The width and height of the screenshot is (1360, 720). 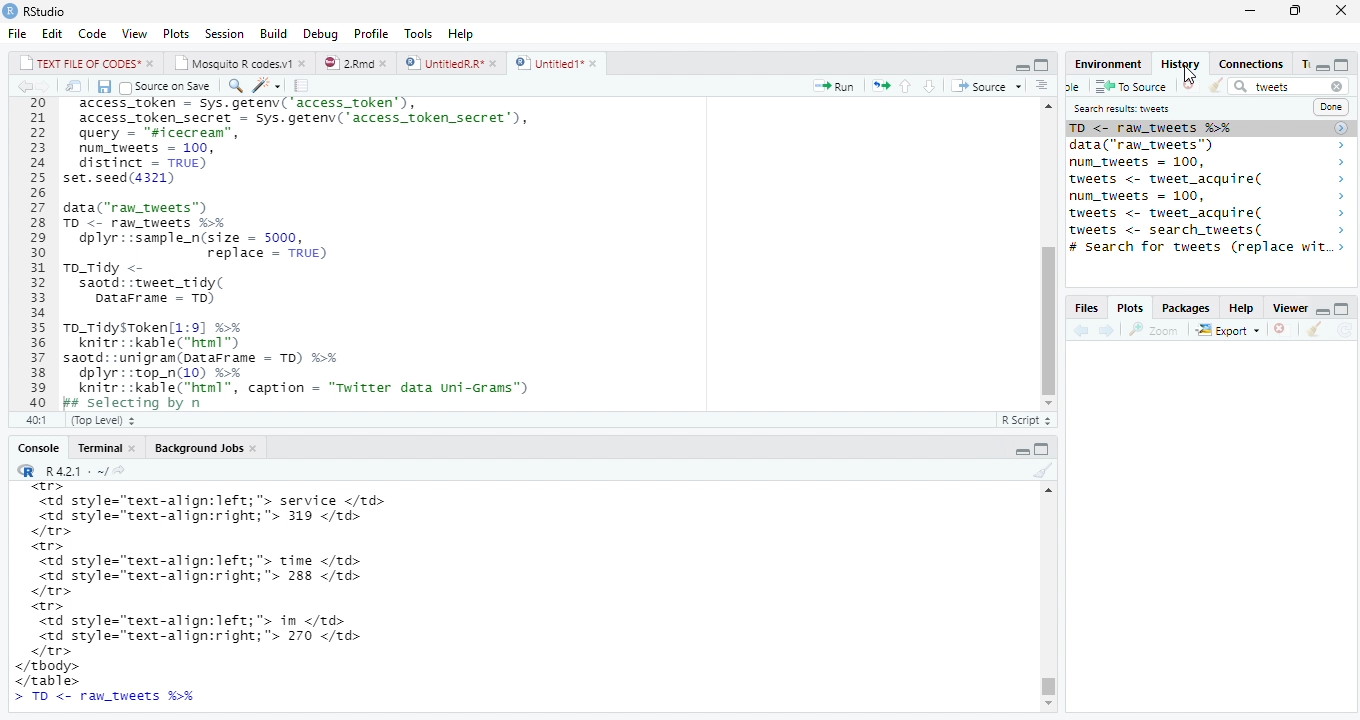 What do you see at coordinates (1020, 63) in the screenshot?
I see `minimze/maximize` at bounding box center [1020, 63].